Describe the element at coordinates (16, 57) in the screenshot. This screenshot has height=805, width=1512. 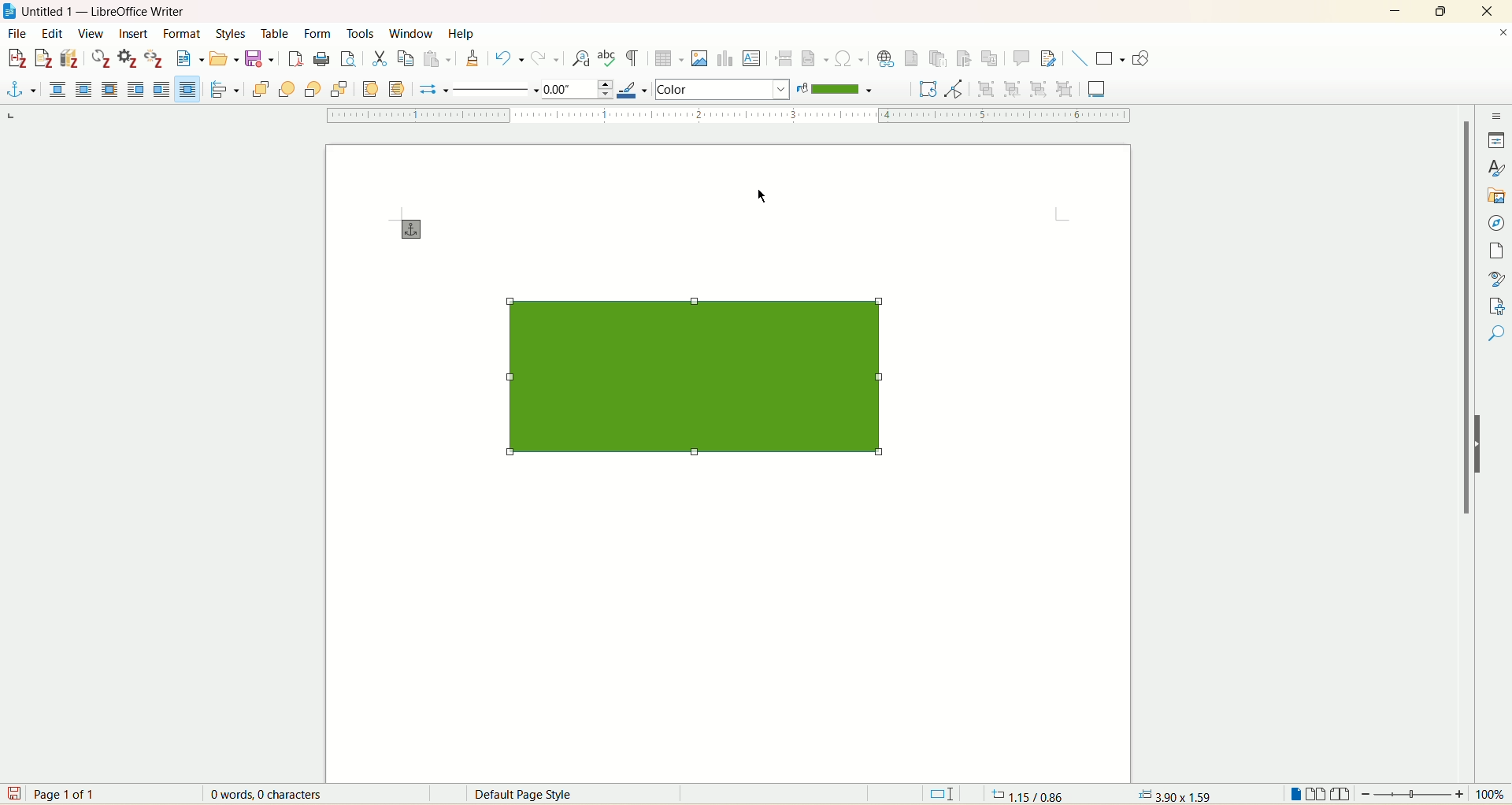
I see `add citation` at that location.